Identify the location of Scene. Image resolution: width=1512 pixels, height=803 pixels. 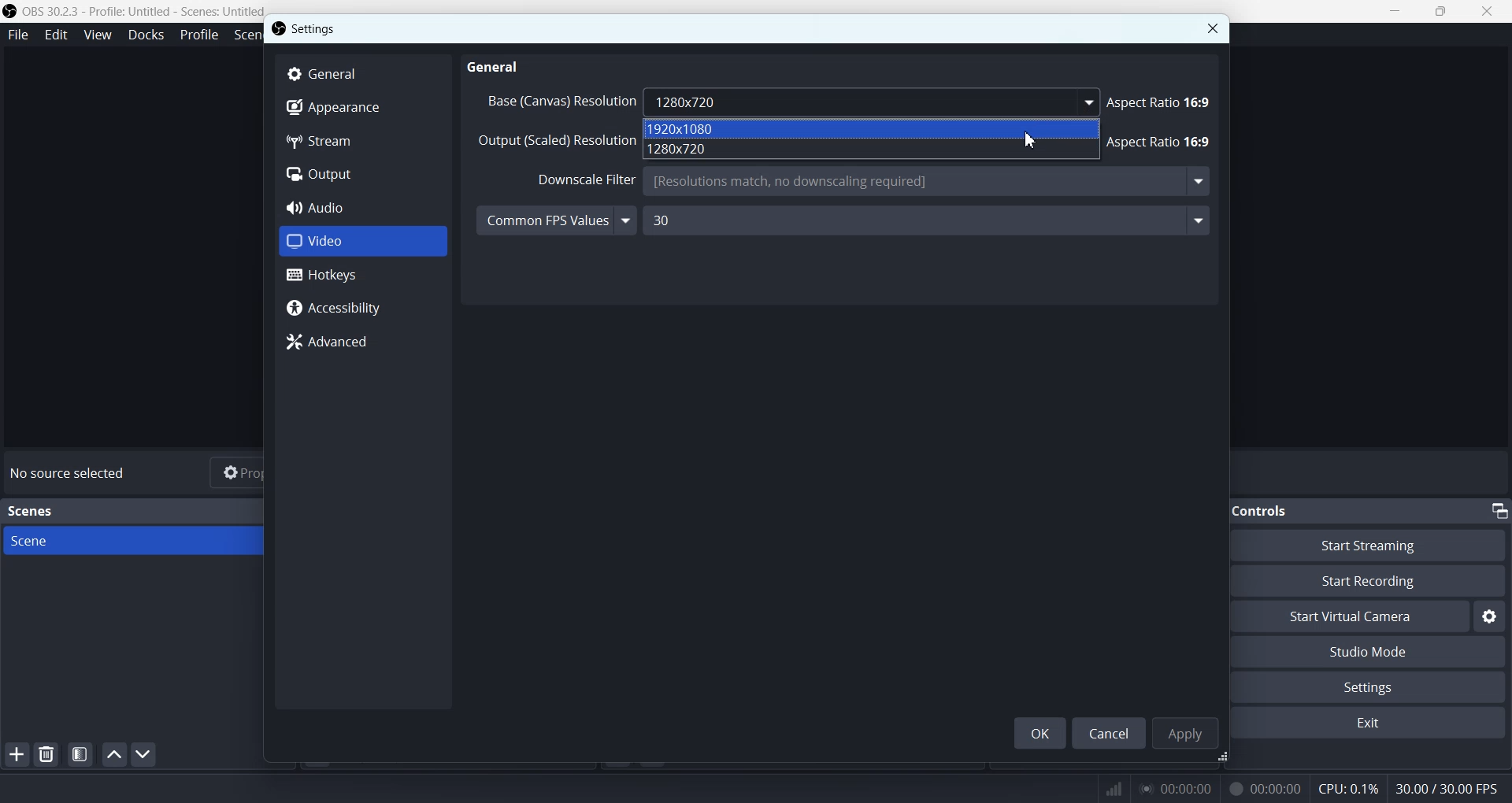
(150, 541).